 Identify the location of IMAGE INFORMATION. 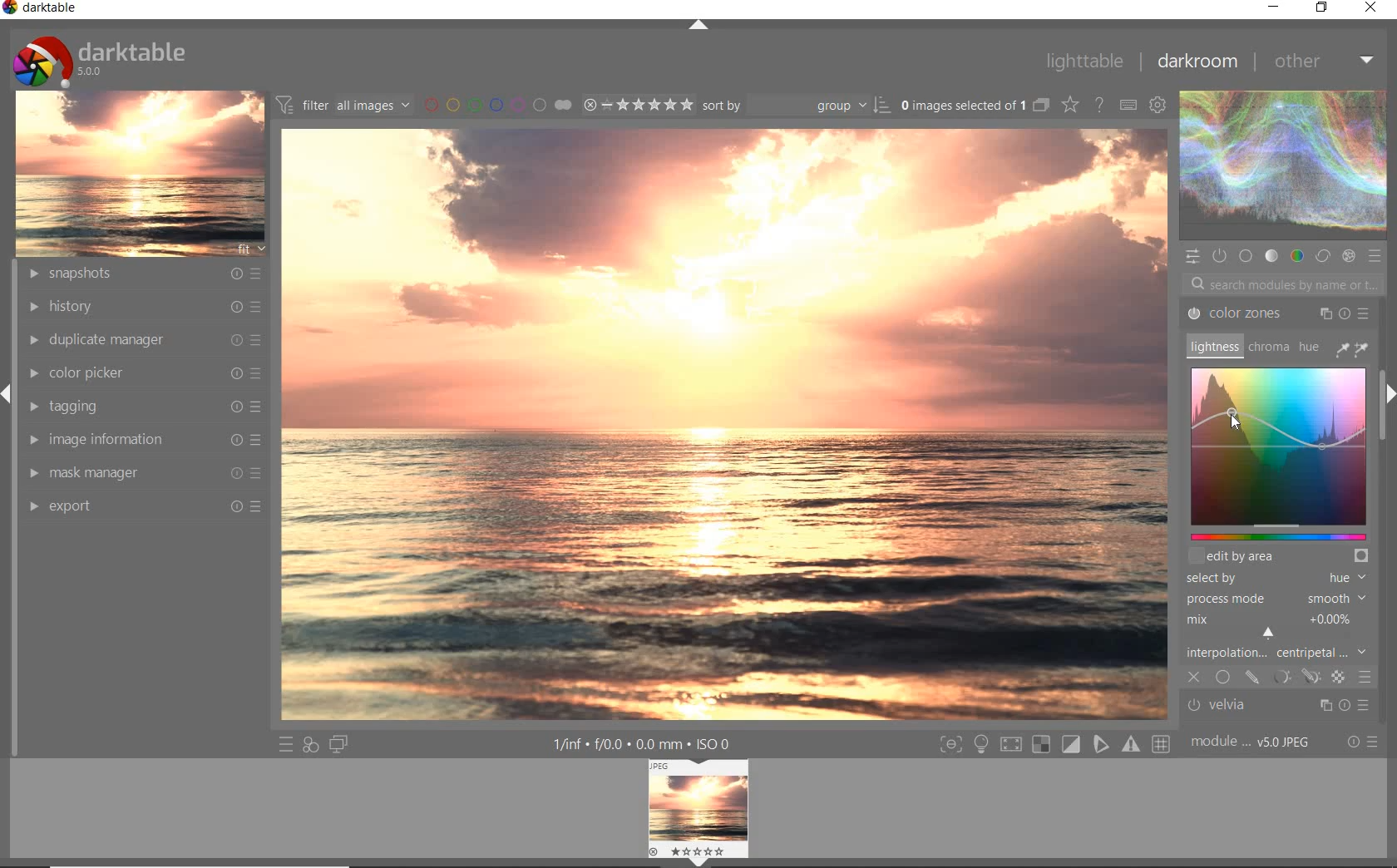
(146, 439).